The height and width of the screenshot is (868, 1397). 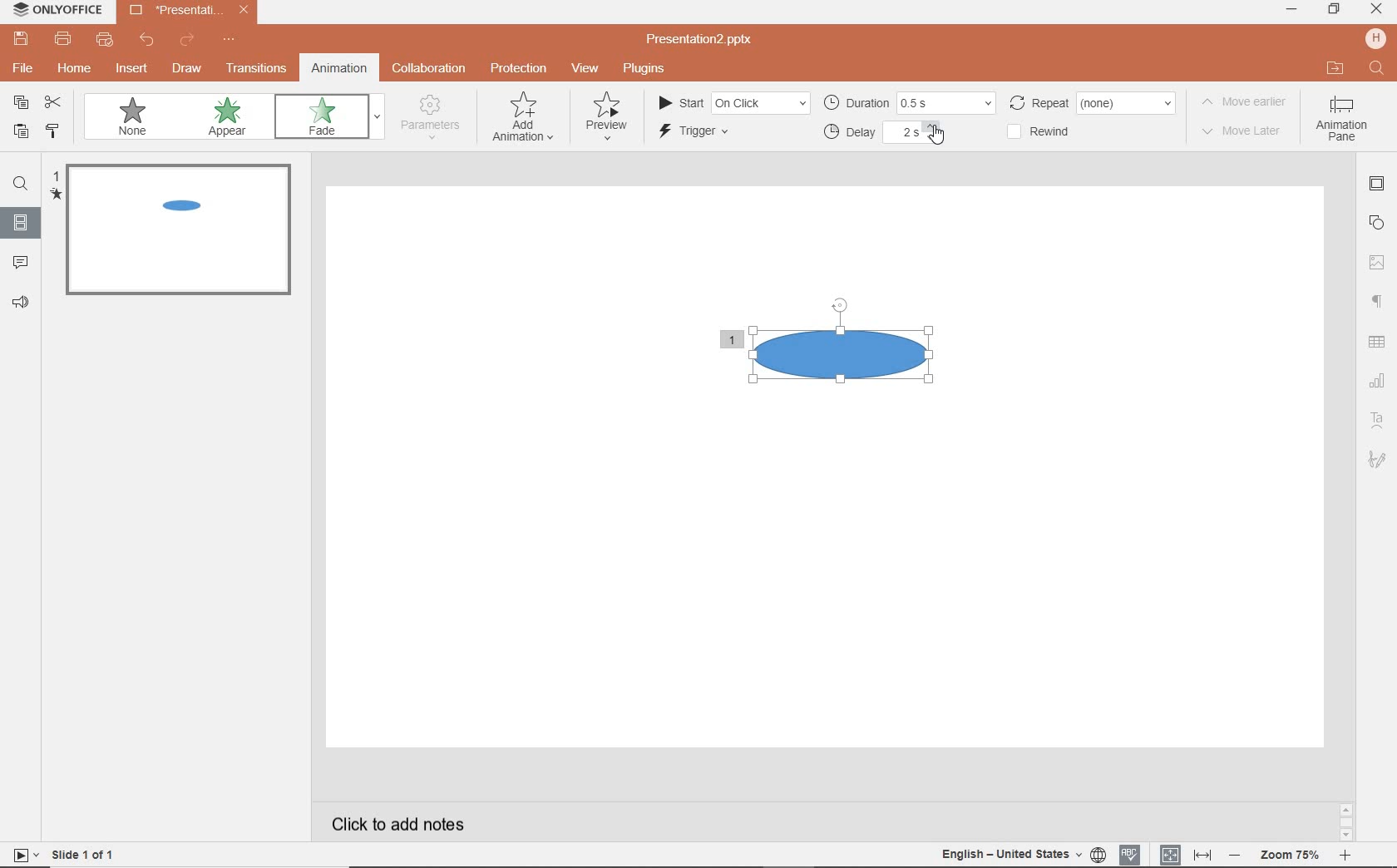 I want to click on hp, so click(x=1375, y=37).